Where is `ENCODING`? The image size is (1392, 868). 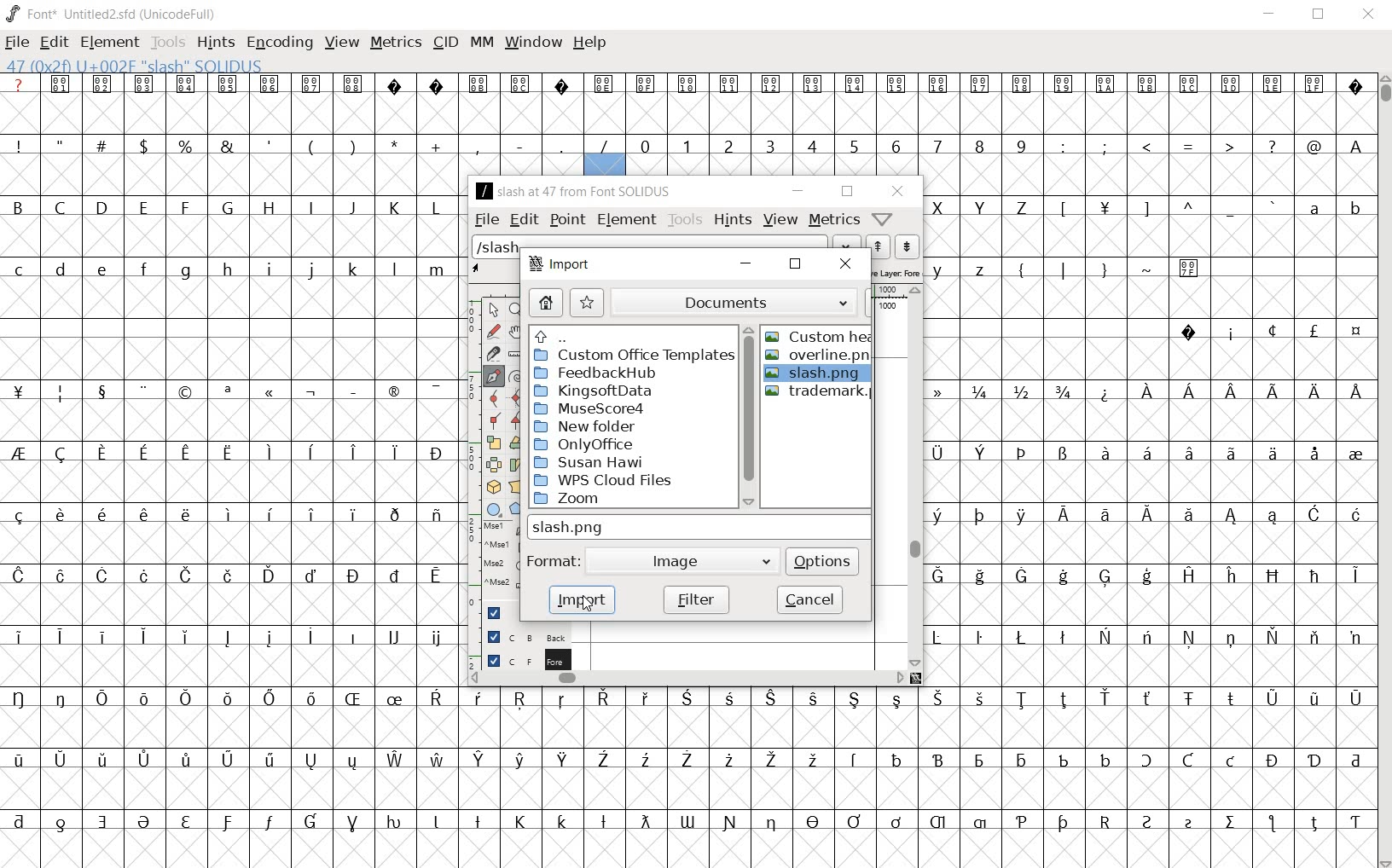 ENCODING is located at coordinates (279, 43).